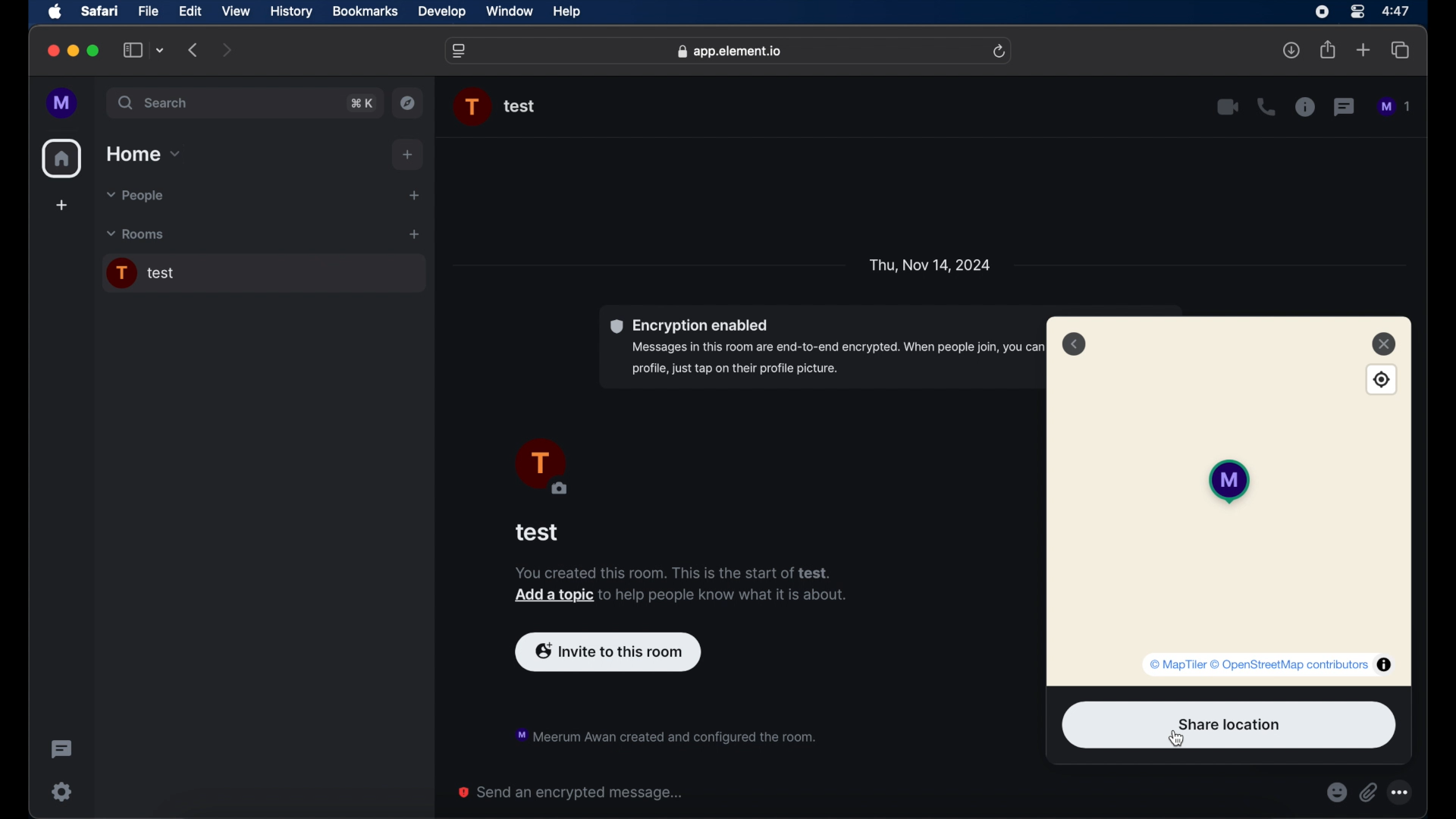 This screenshot has height=819, width=1456. Describe the element at coordinates (1345, 107) in the screenshot. I see `threads` at that location.